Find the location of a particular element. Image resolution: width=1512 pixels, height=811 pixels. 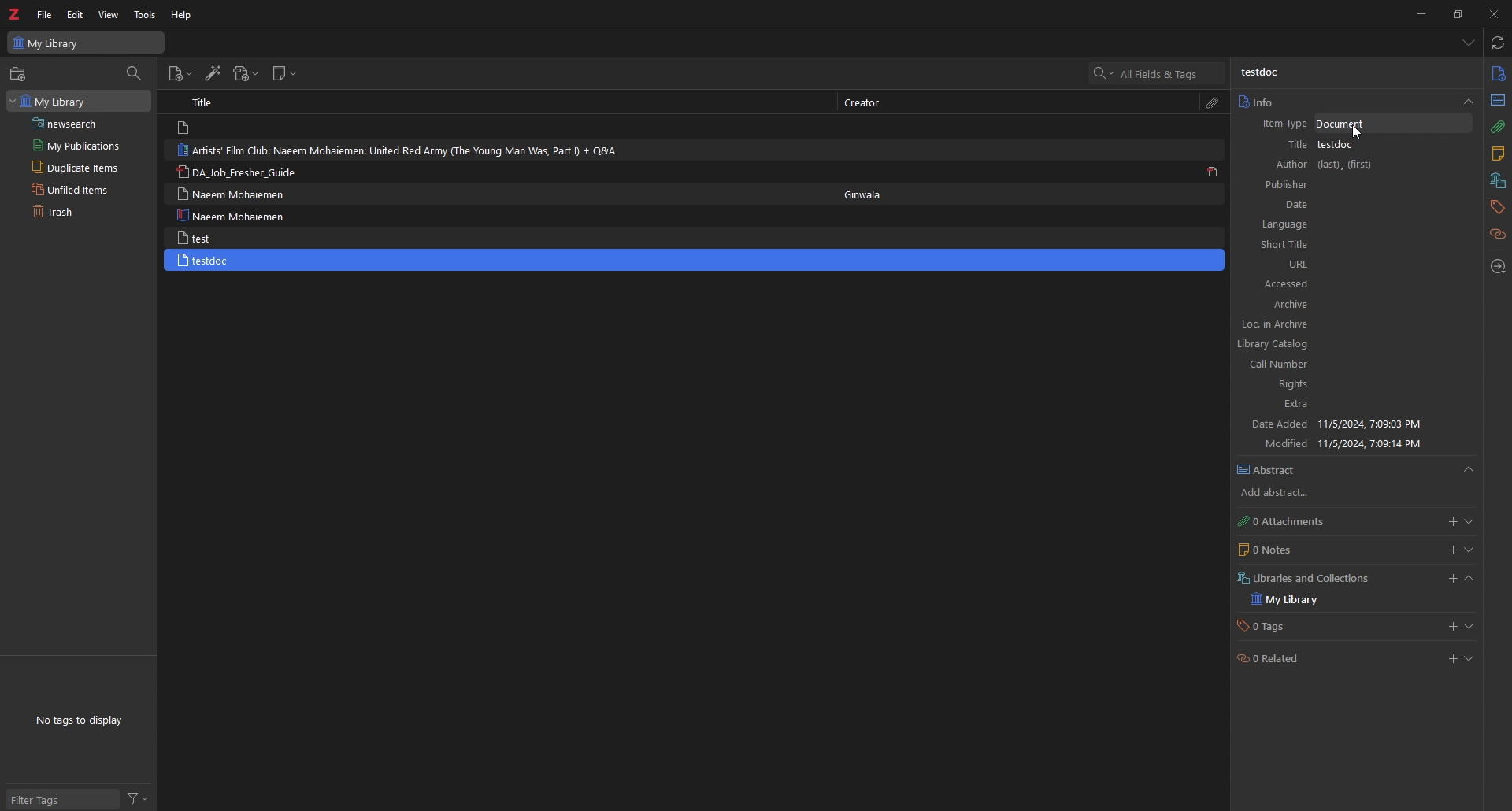

show is located at coordinates (1469, 626).